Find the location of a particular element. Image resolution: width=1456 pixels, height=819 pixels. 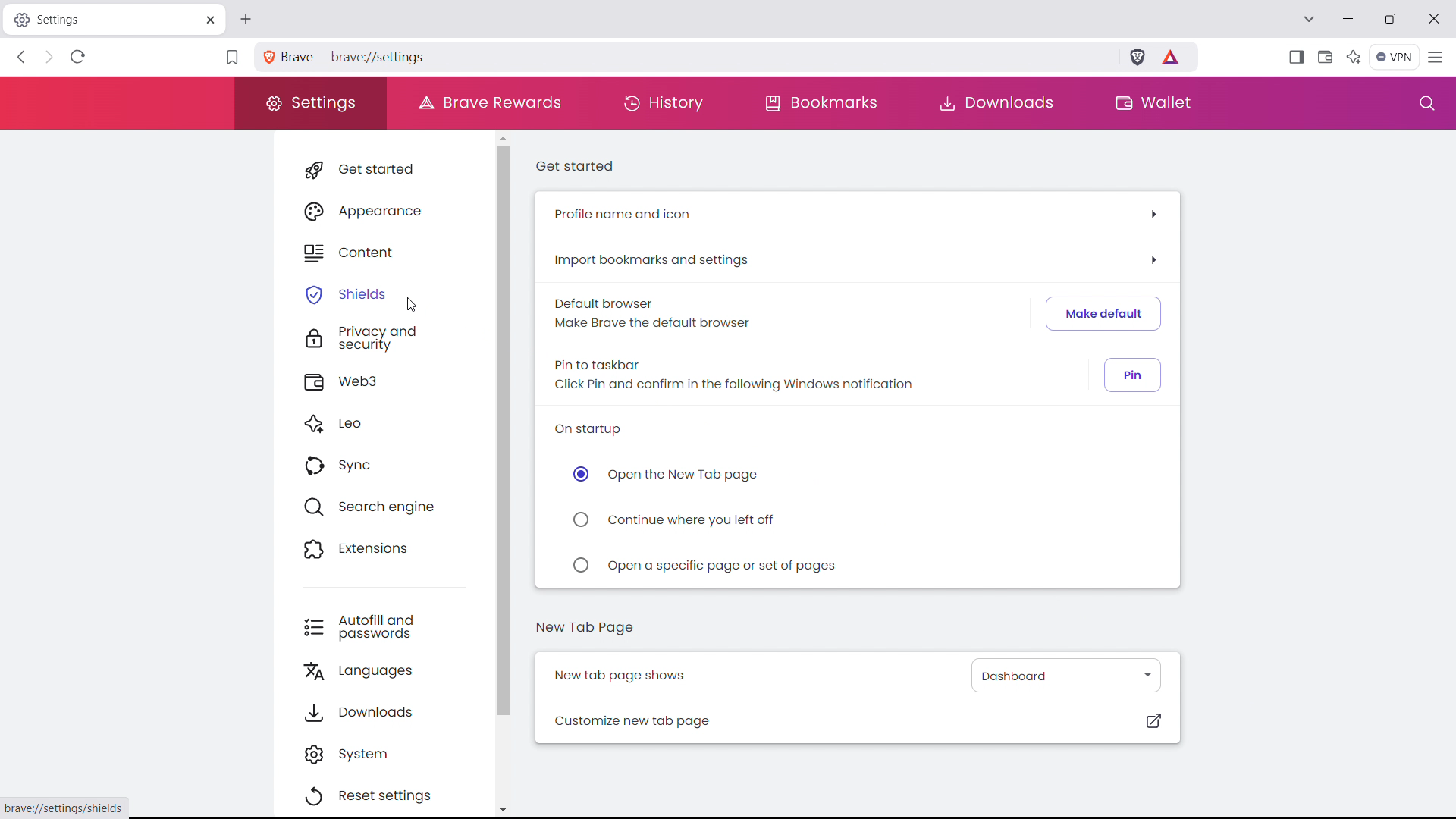

Click Pin and confirm in the following Windows notification is located at coordinates (770, 386).